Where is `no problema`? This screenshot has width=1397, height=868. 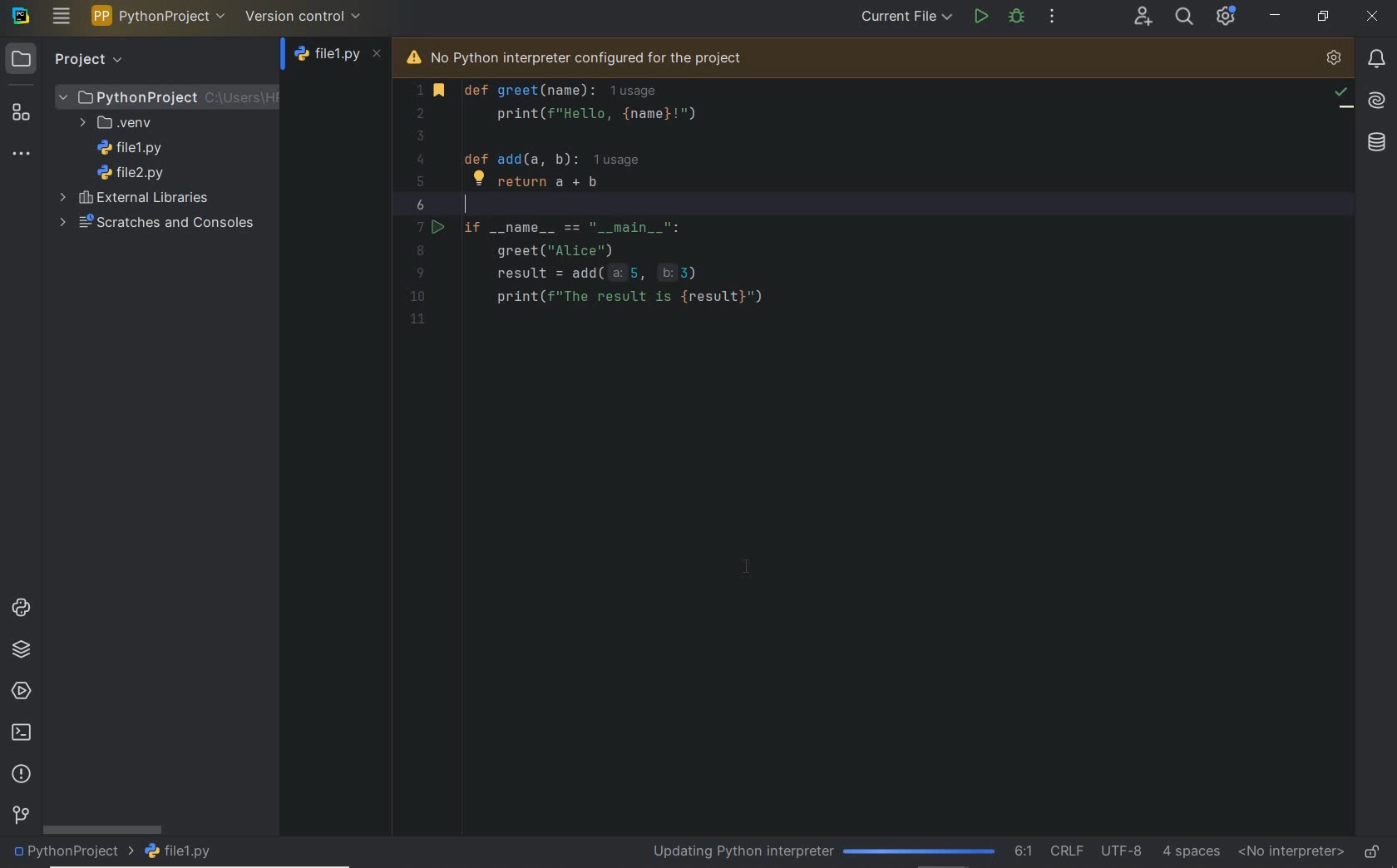 no problema is located at coordinates (1342, 96).